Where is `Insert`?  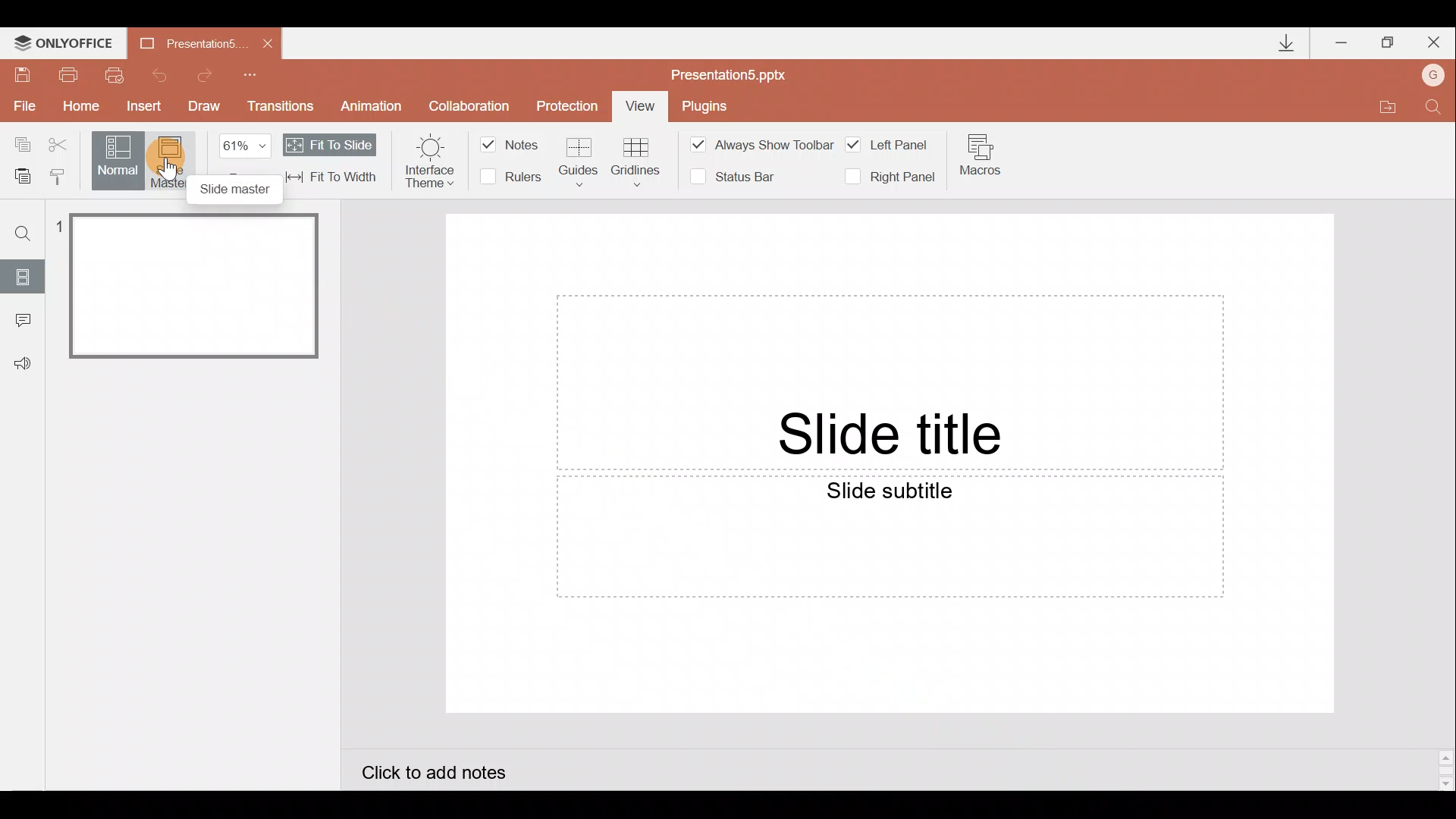
Insert is located at coordinates (145, 108).